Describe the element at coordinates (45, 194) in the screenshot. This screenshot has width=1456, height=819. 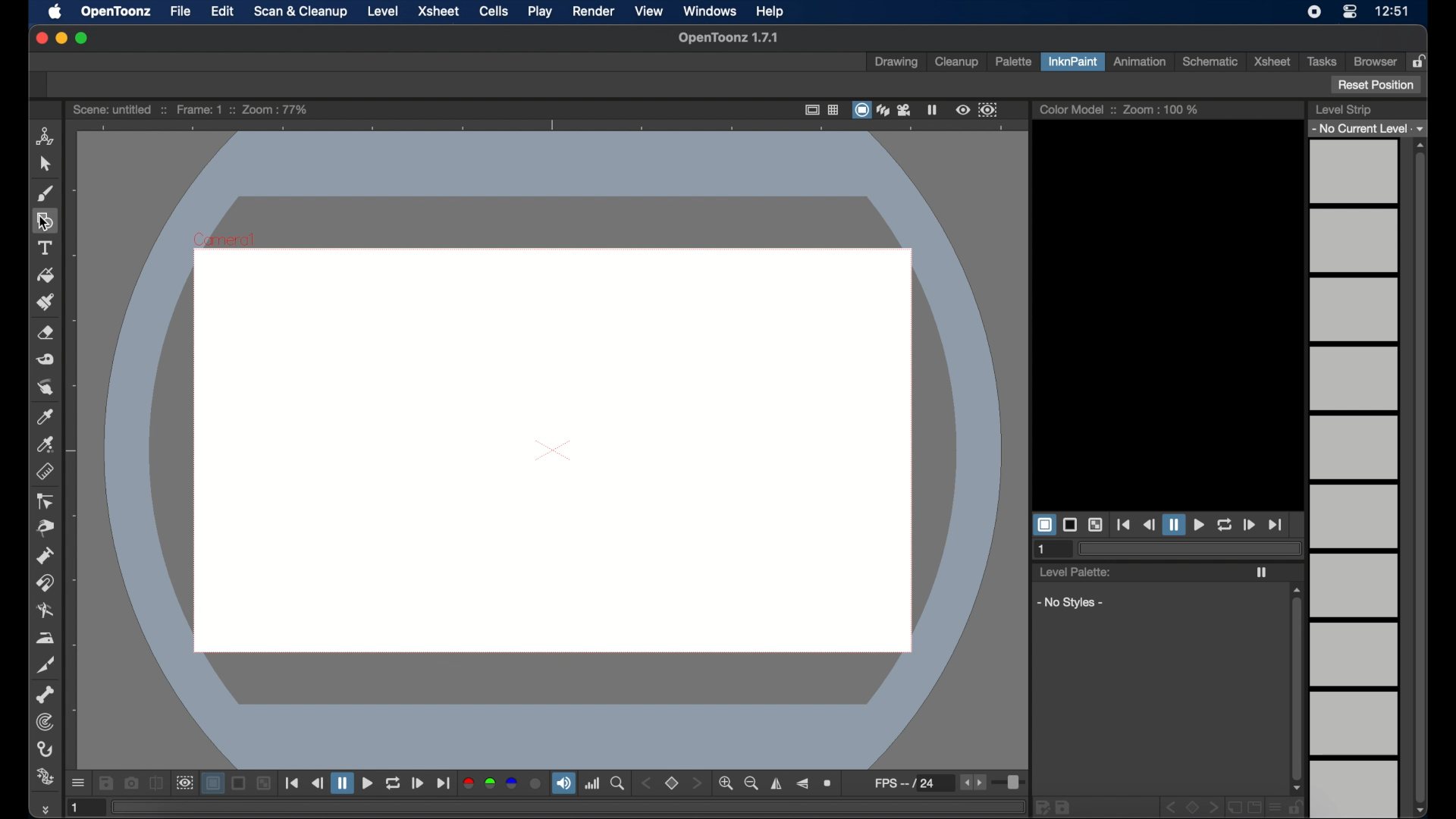
I see `brush tool` at that location.